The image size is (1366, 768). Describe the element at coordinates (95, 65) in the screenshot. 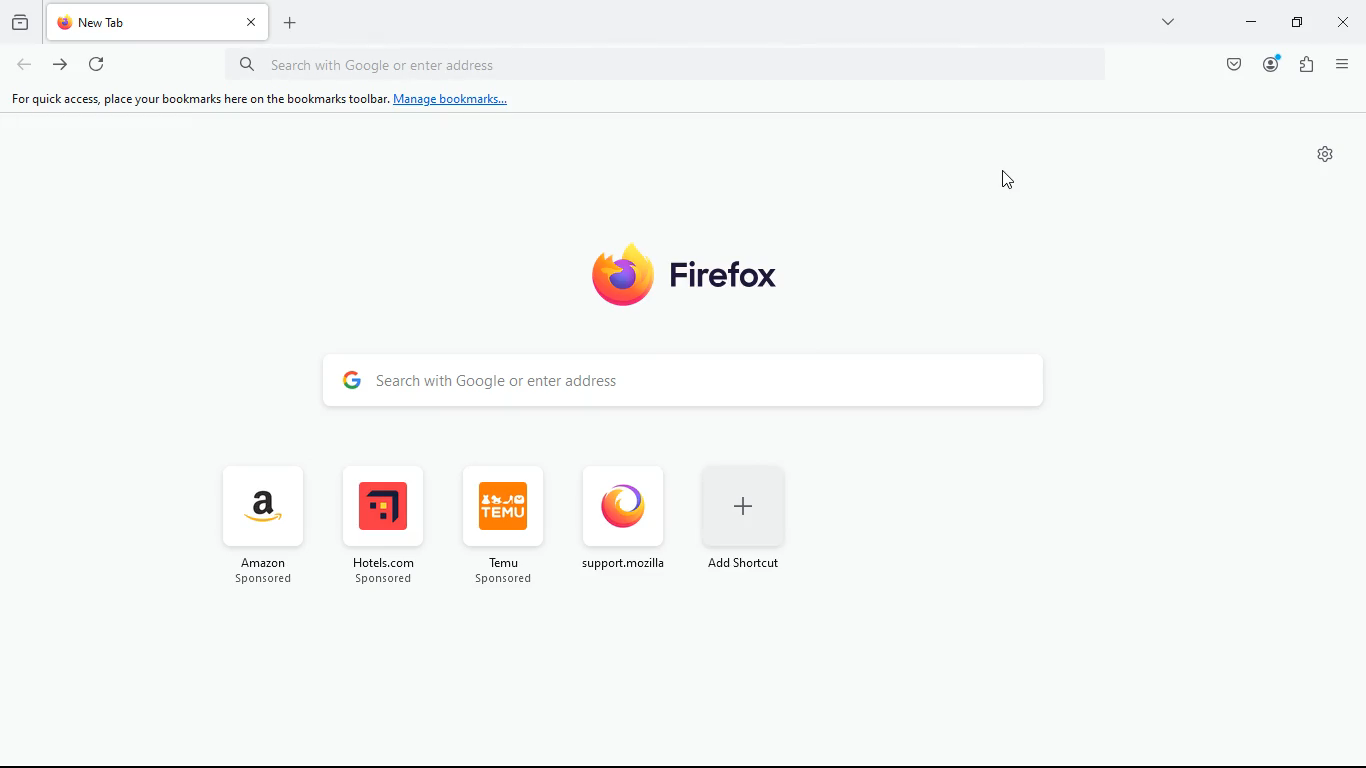

I see `refresh` at that location.